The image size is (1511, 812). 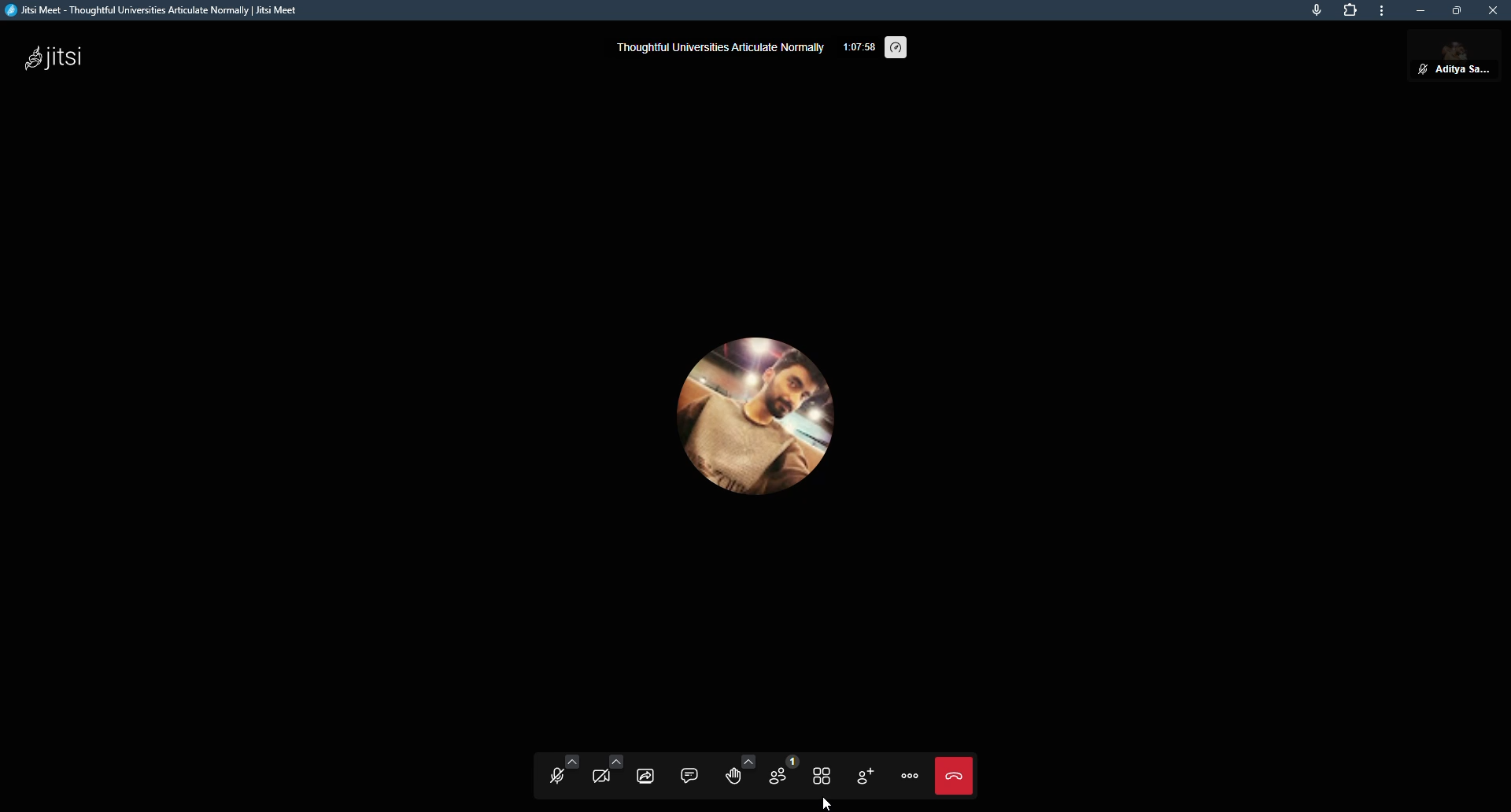 I want to click on invite people, so click(x=869, y=774).